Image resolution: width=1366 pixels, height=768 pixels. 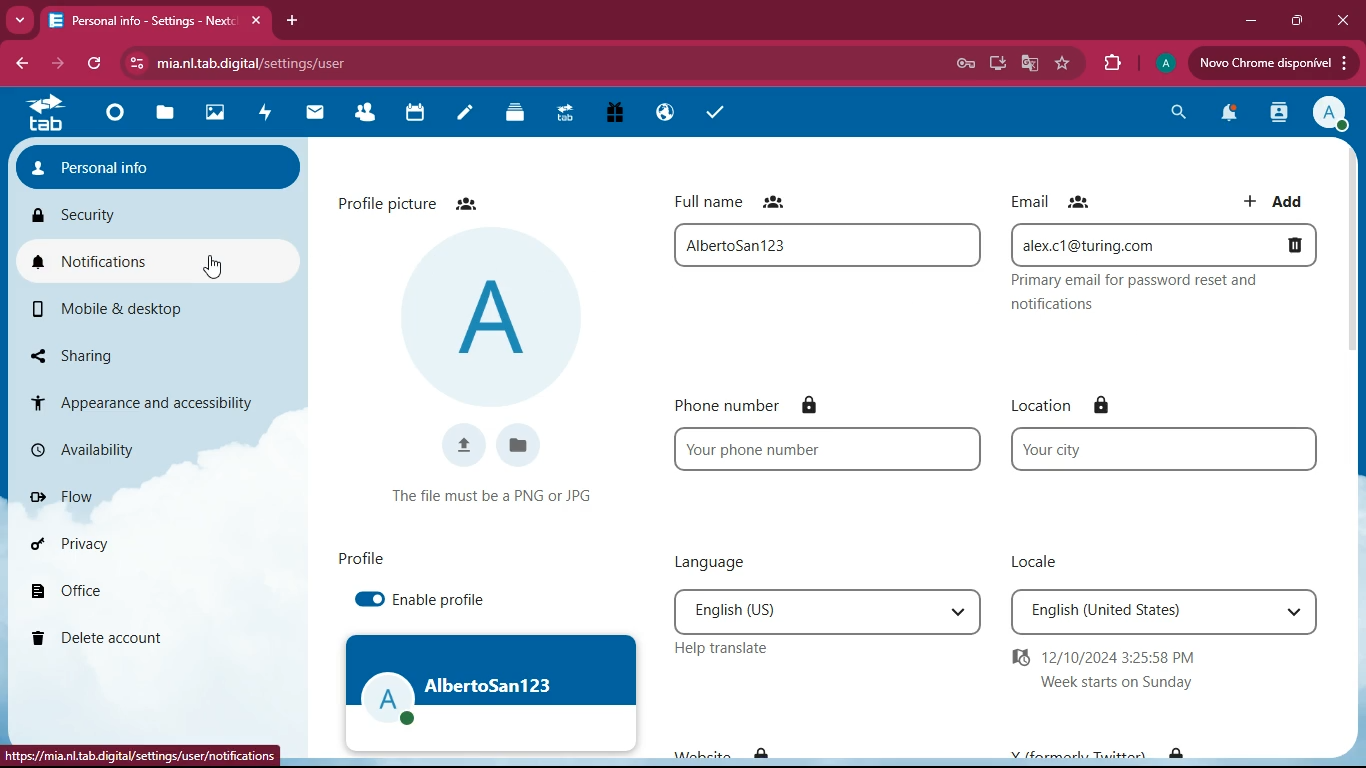 I want to click on email, so click(x=1165, y=244).